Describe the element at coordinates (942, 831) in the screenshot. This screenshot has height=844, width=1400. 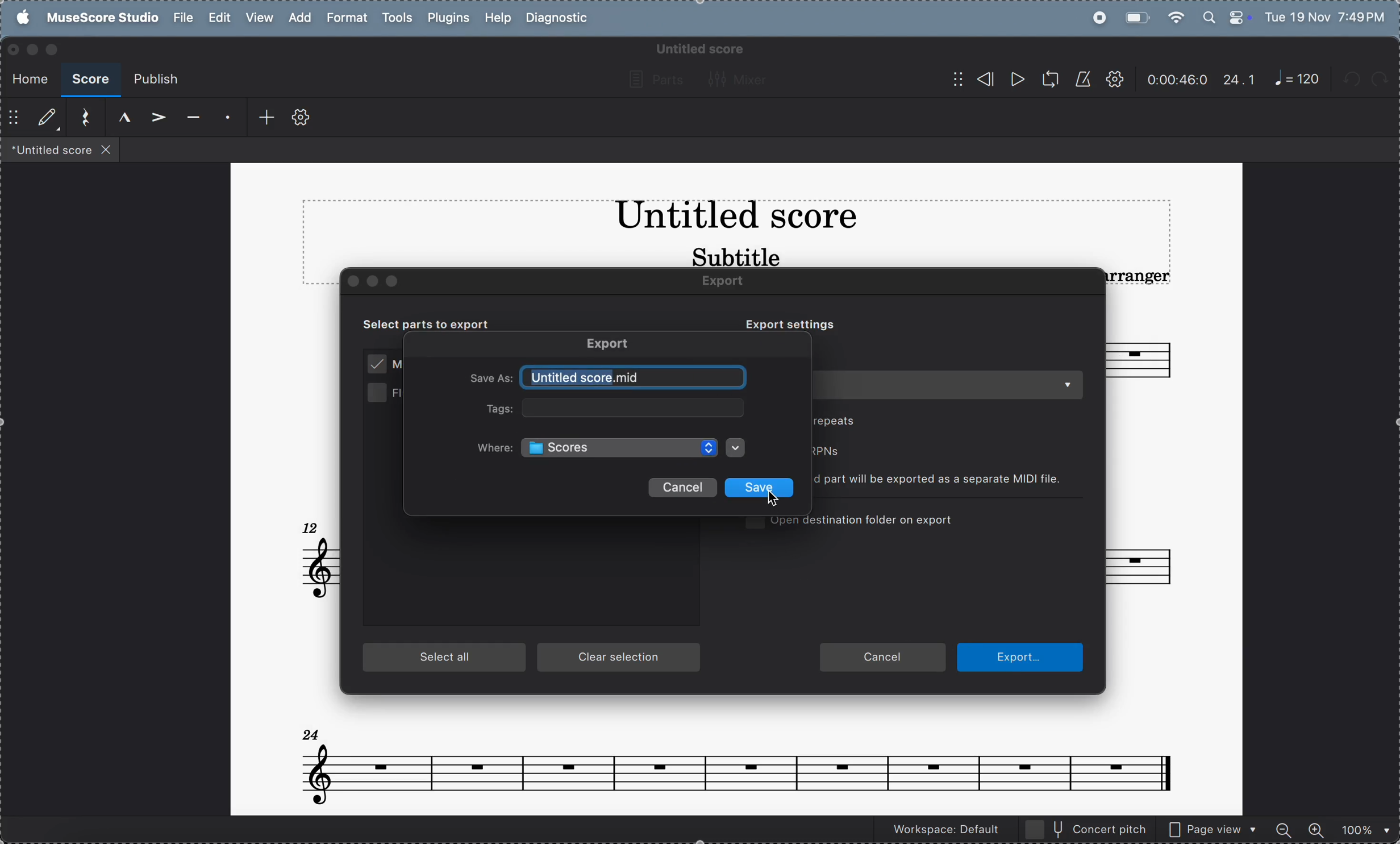
I see `workspace default` at that location.